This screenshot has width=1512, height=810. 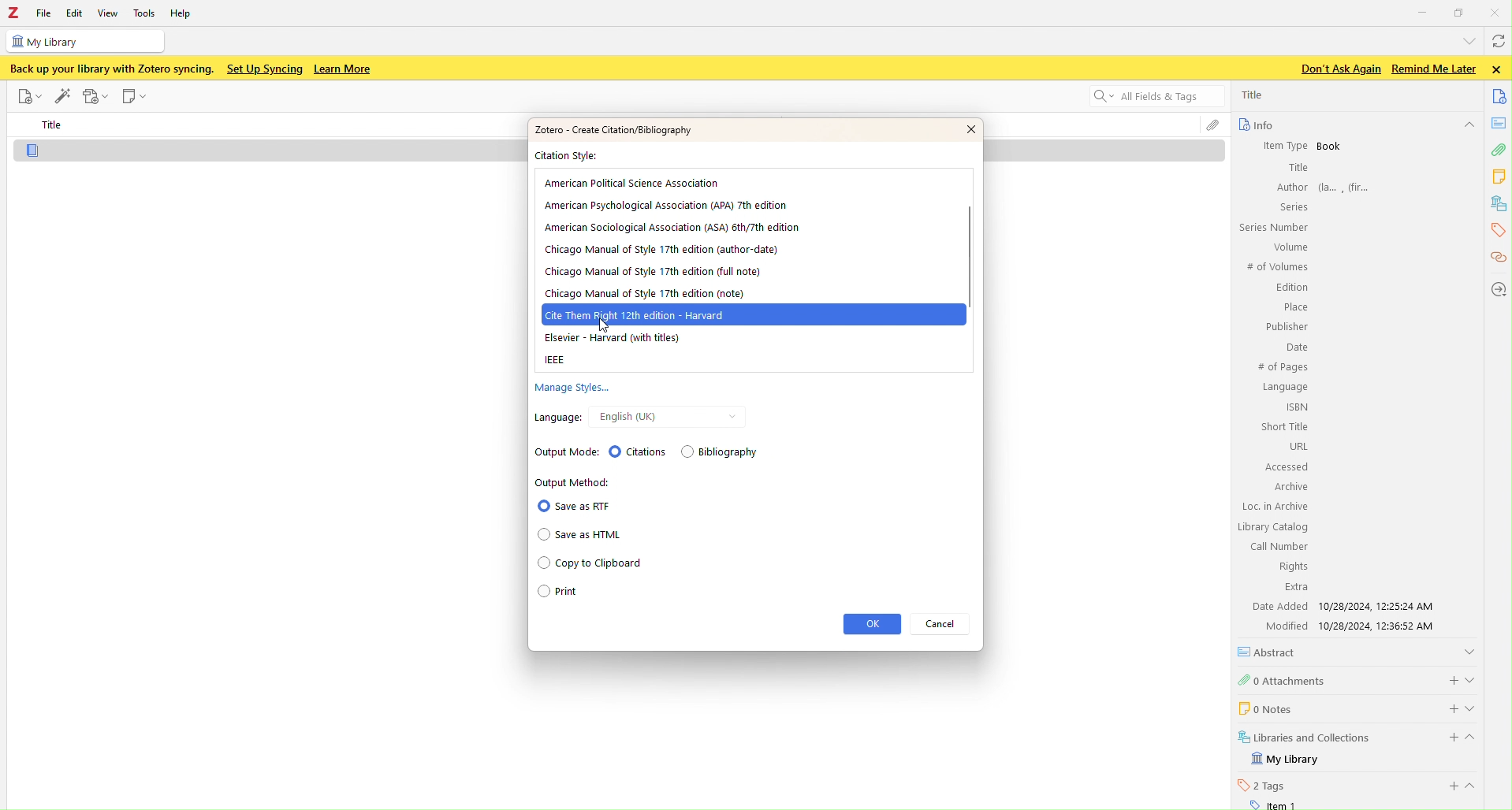 I want to click on add, so click(x=1444, y=707).